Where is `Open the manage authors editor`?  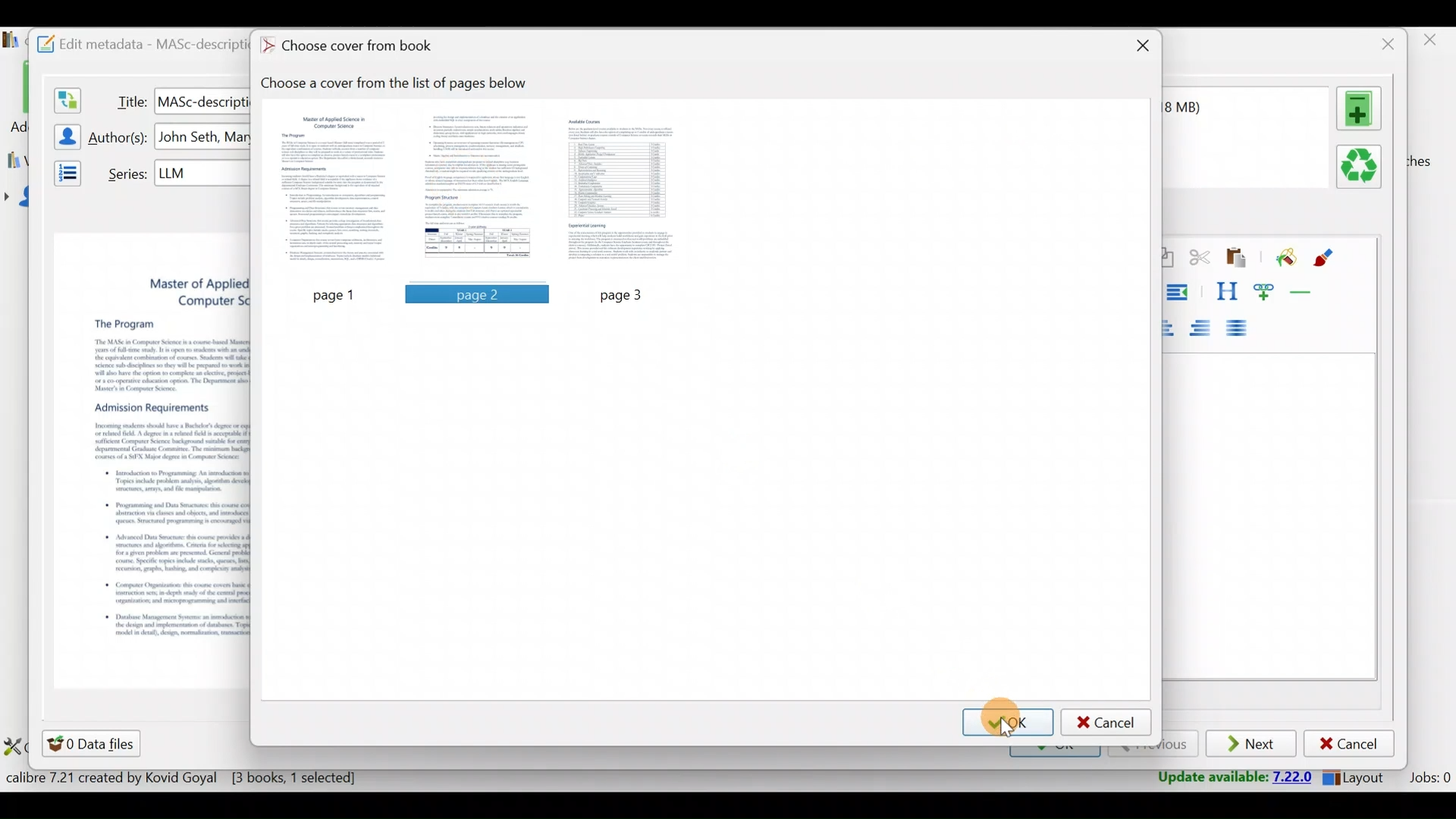
Open the manage authors editor is located at coordinates (63, 134).